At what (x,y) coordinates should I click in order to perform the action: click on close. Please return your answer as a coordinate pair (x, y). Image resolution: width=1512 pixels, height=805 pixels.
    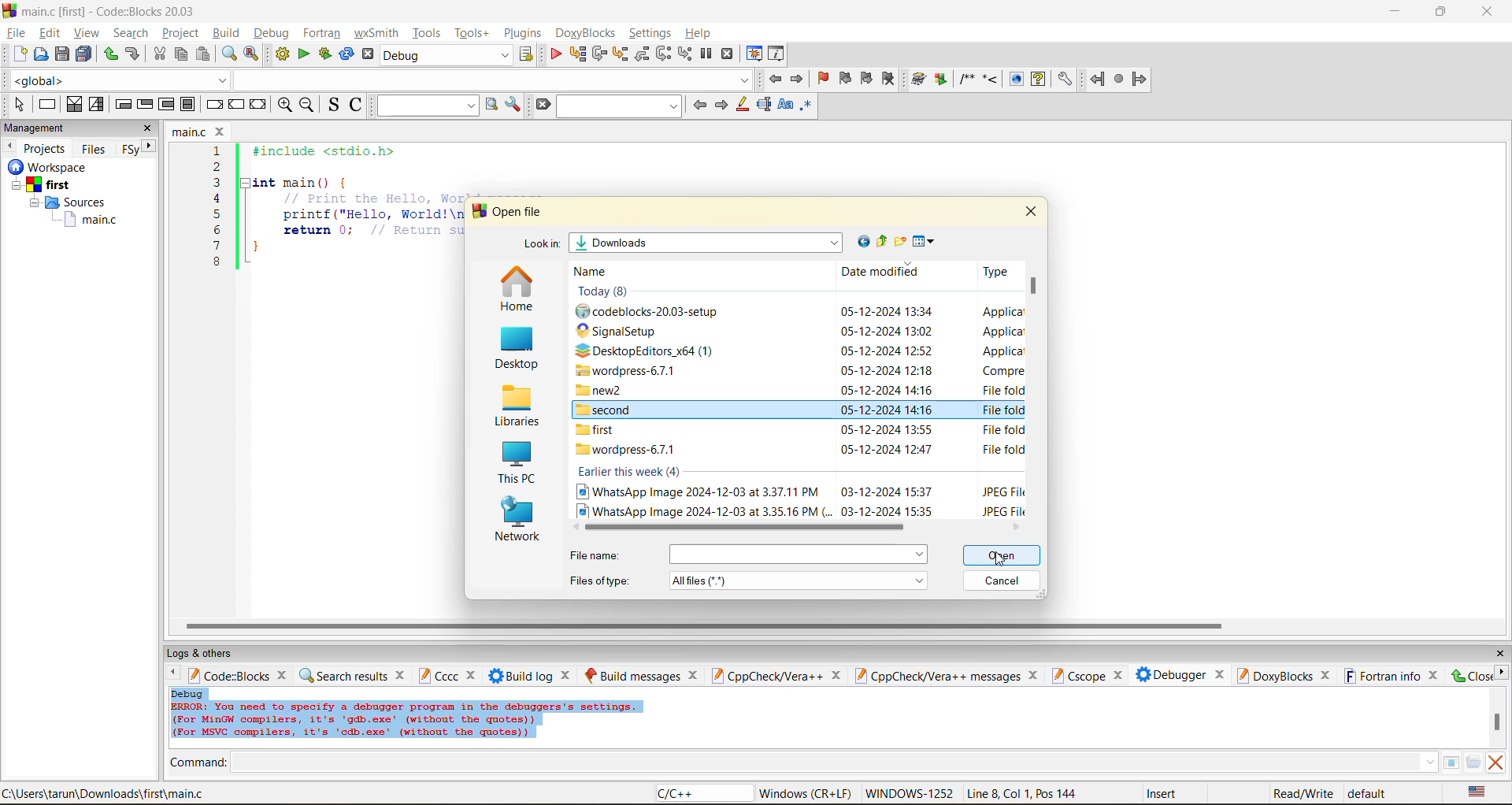
    Looking at the image, I should click on (568, 675).